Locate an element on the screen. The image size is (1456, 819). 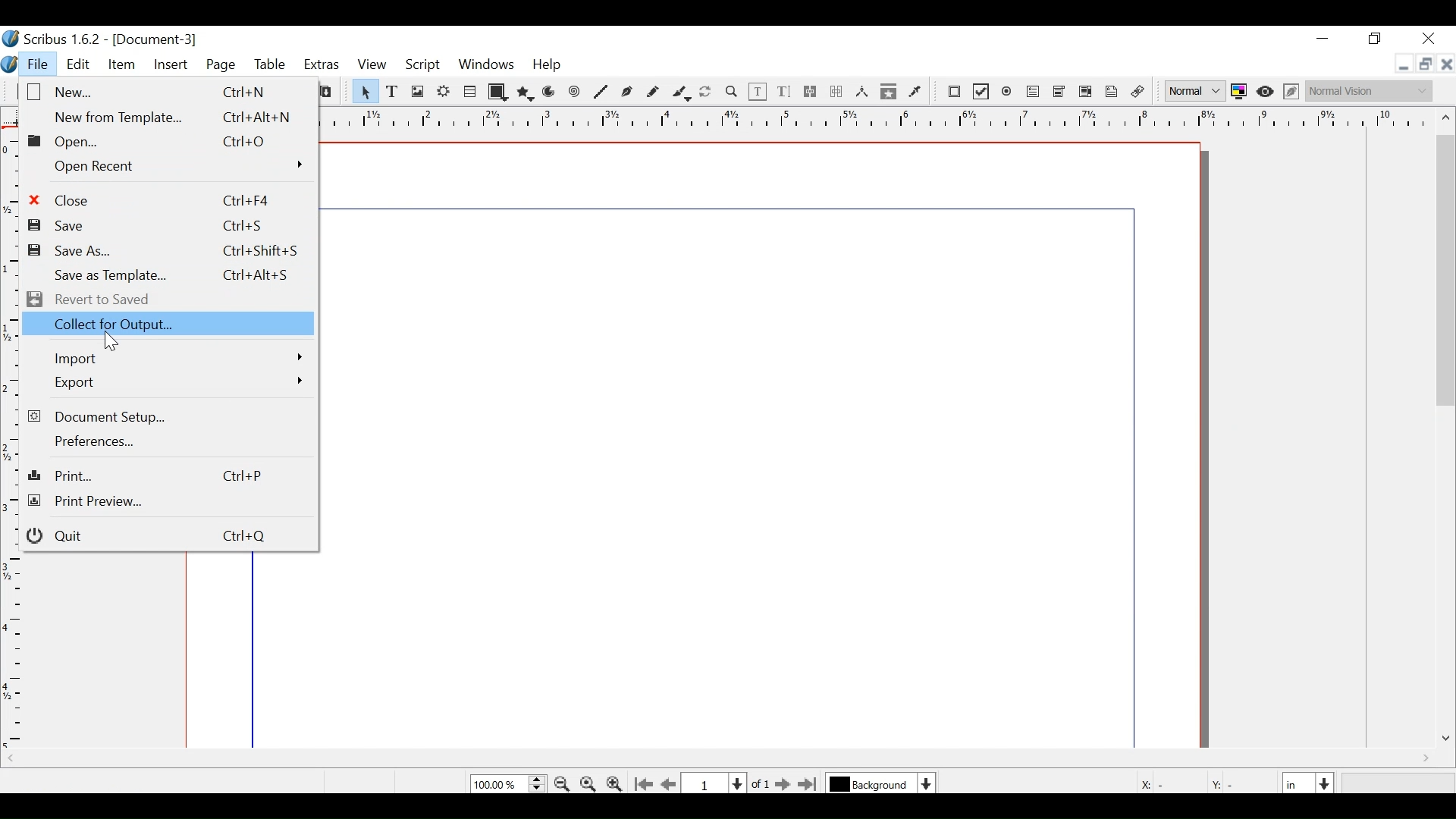
 is located at coordinates (926, 782).